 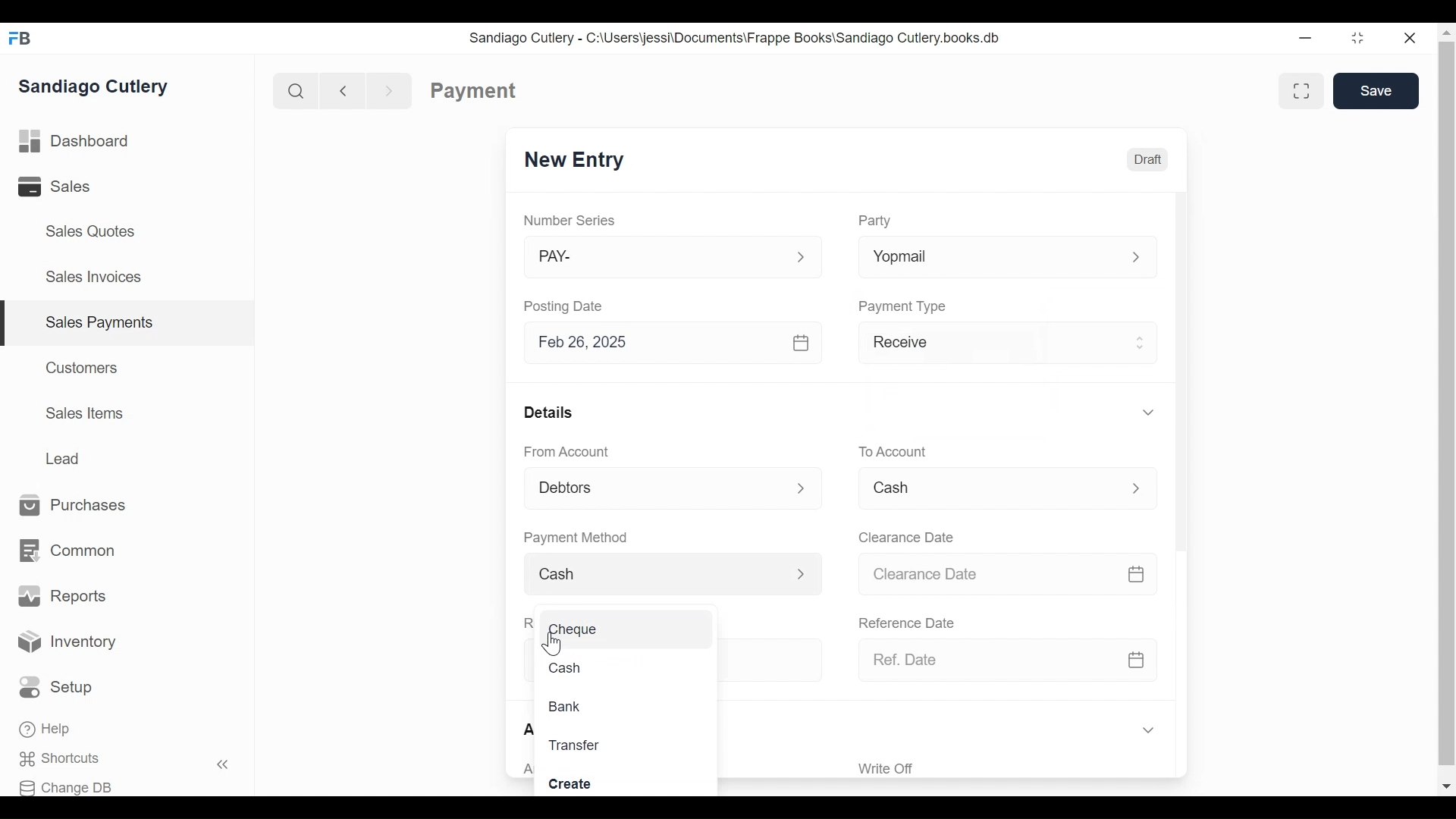 I want to click on Navigate Back, so click(x=340, y=90).